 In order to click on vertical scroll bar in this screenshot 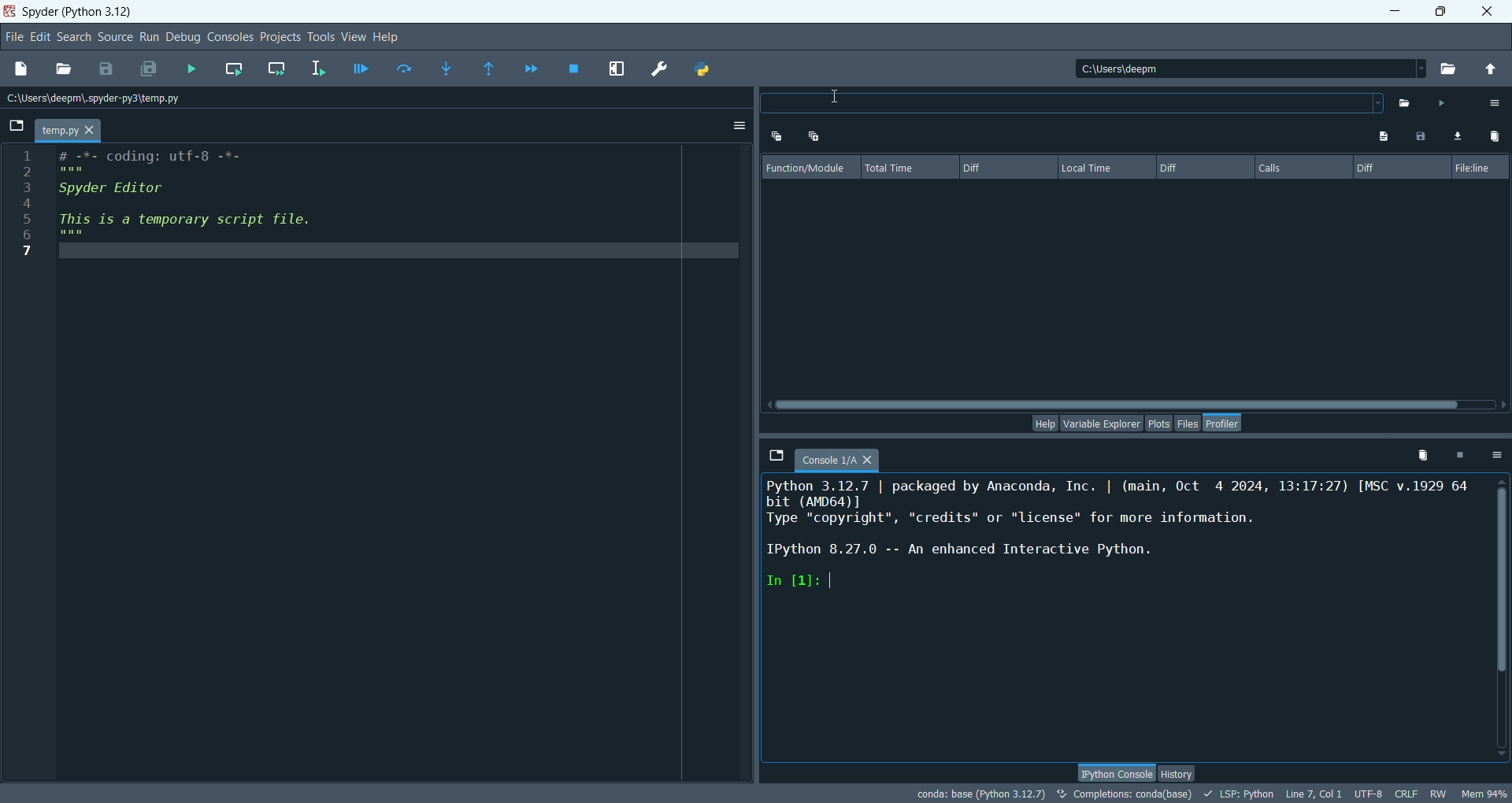, I will do `click(1503, 616)`.